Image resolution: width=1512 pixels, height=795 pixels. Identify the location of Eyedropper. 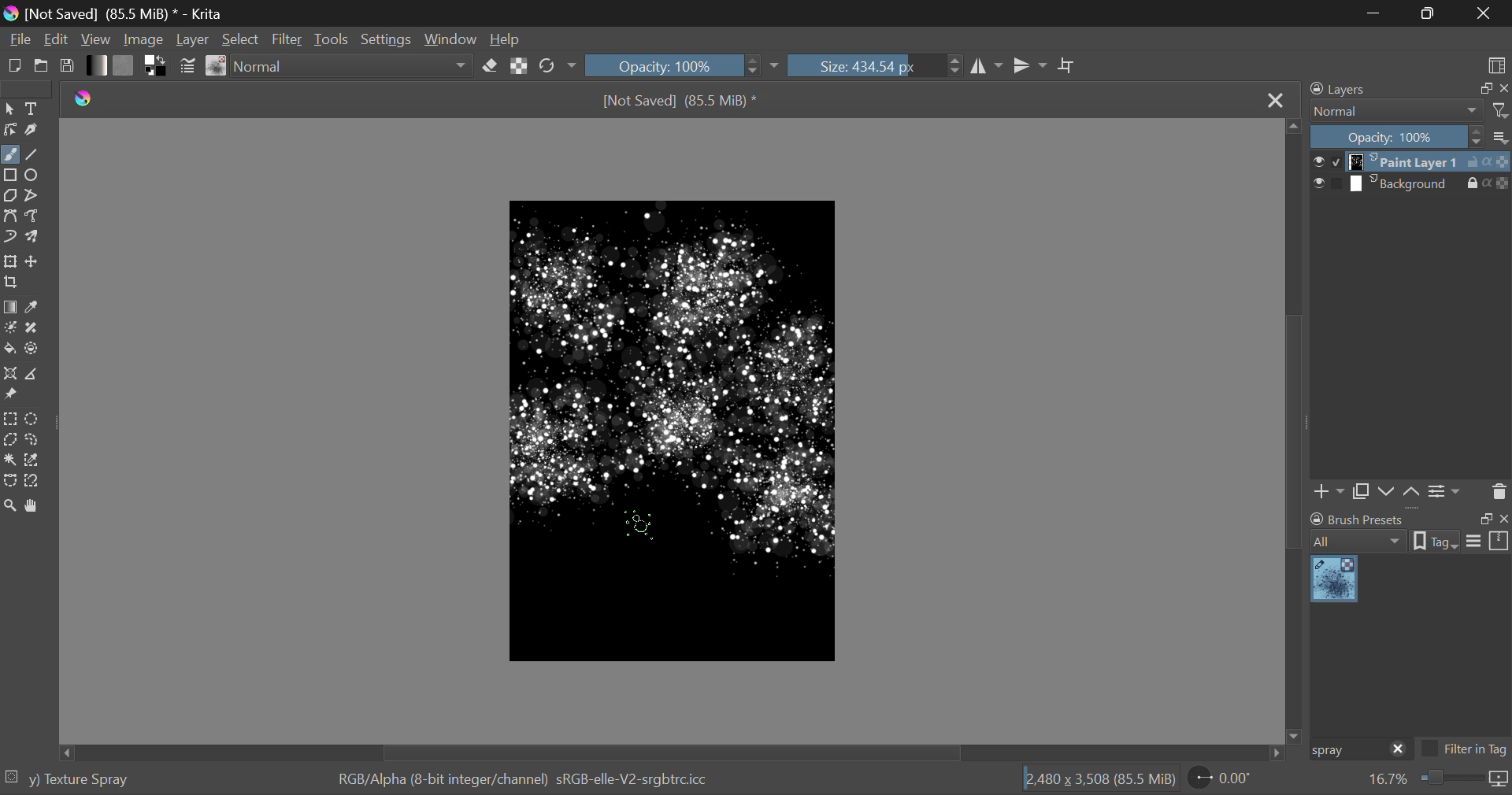
(34, 309).